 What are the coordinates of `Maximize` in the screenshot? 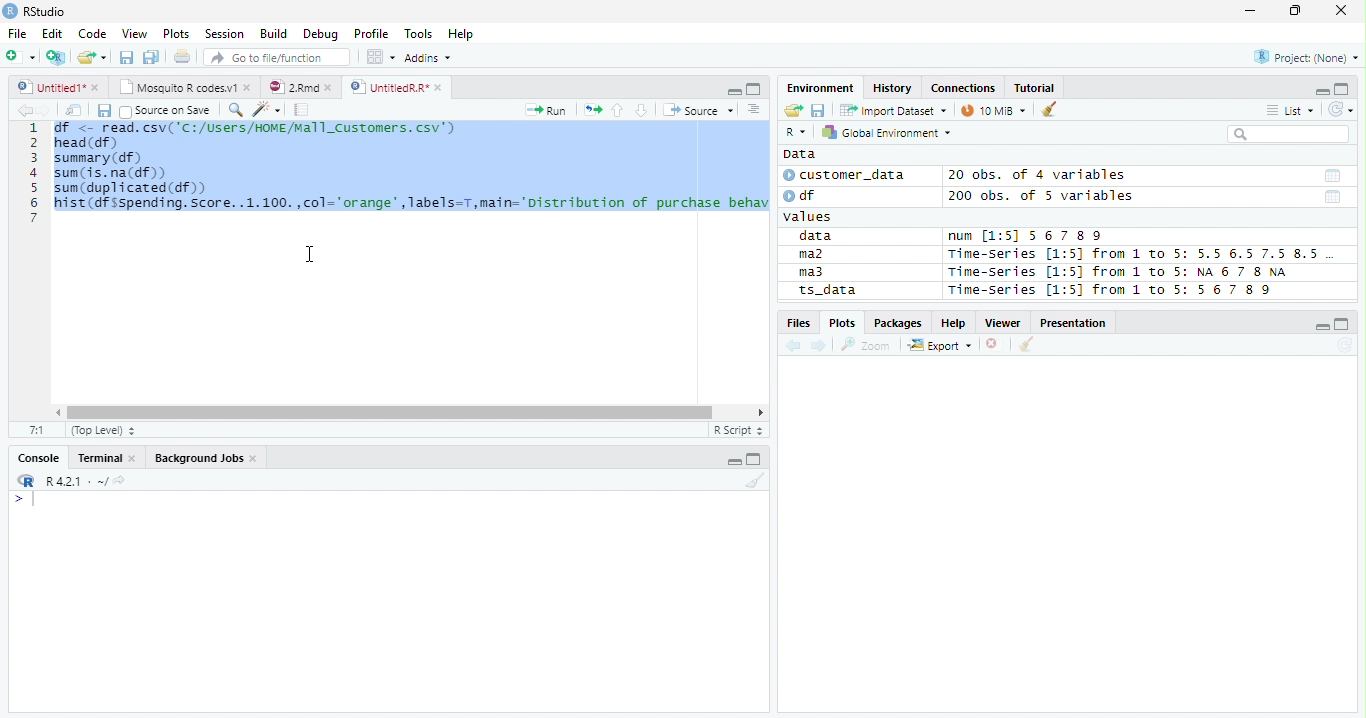 It's located at (753, 88).